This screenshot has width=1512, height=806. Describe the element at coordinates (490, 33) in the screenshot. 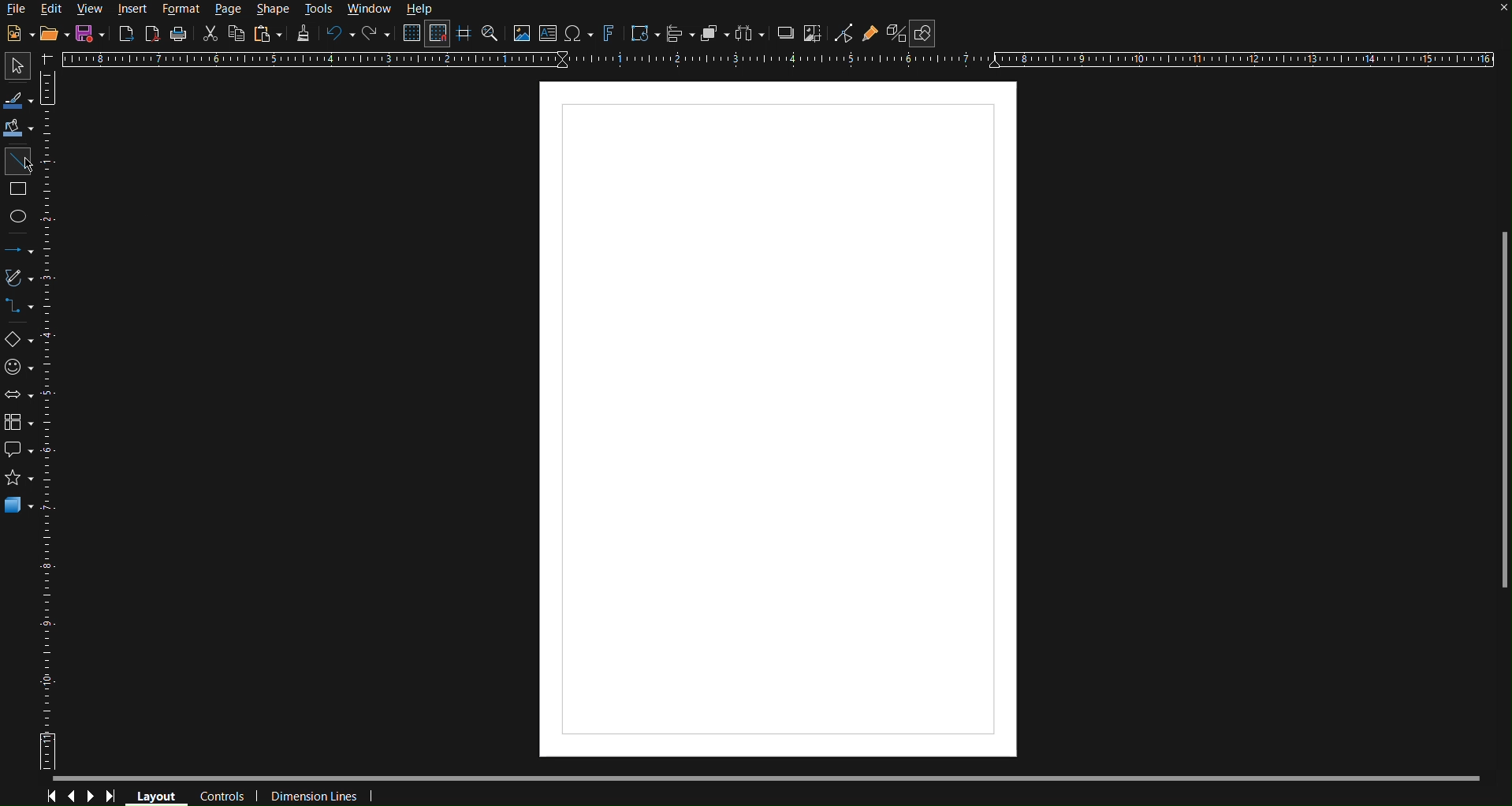

I see `Zoom and Pan` at that location.